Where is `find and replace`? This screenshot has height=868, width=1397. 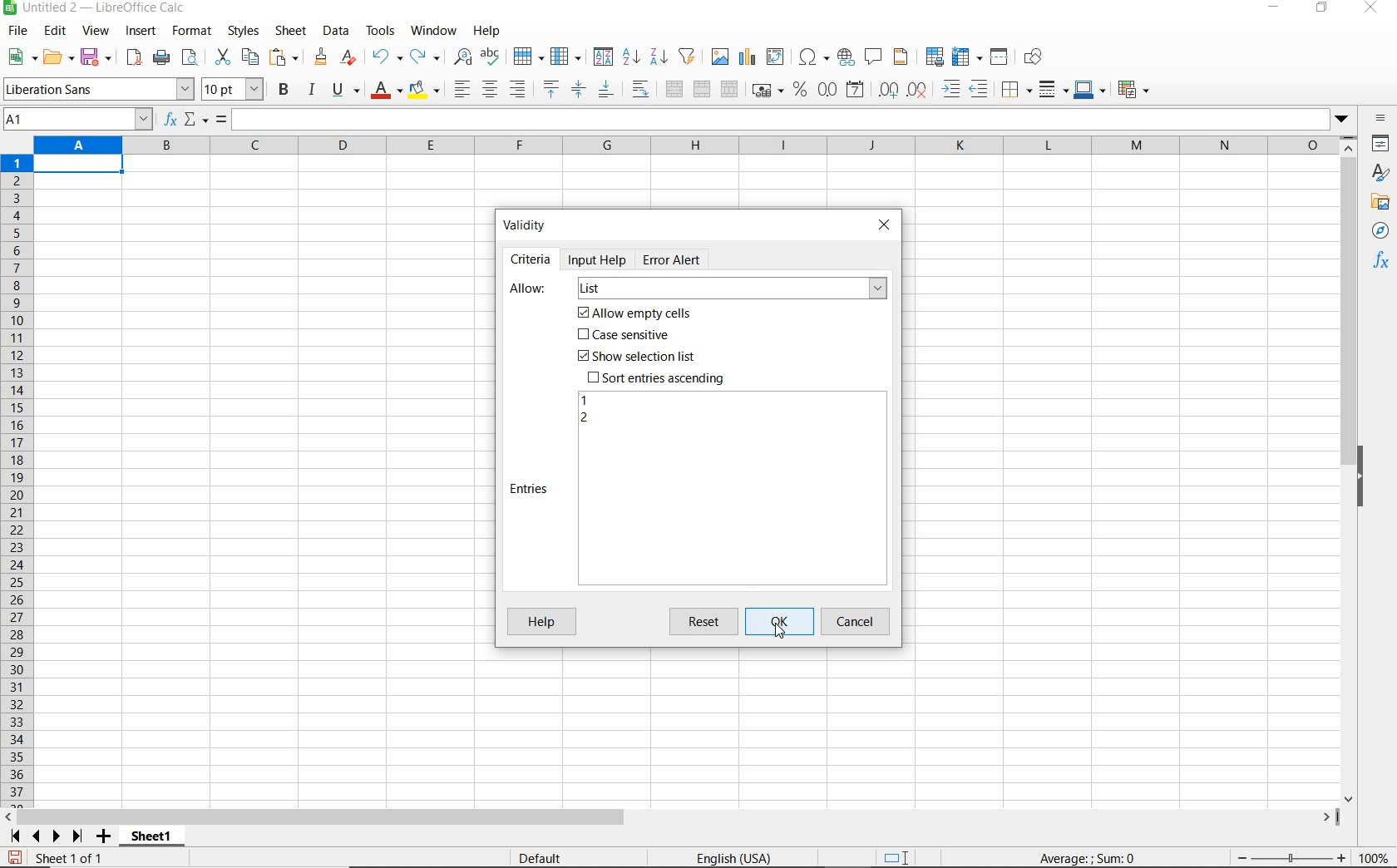 find and replace is located at coordinates (462, 57).